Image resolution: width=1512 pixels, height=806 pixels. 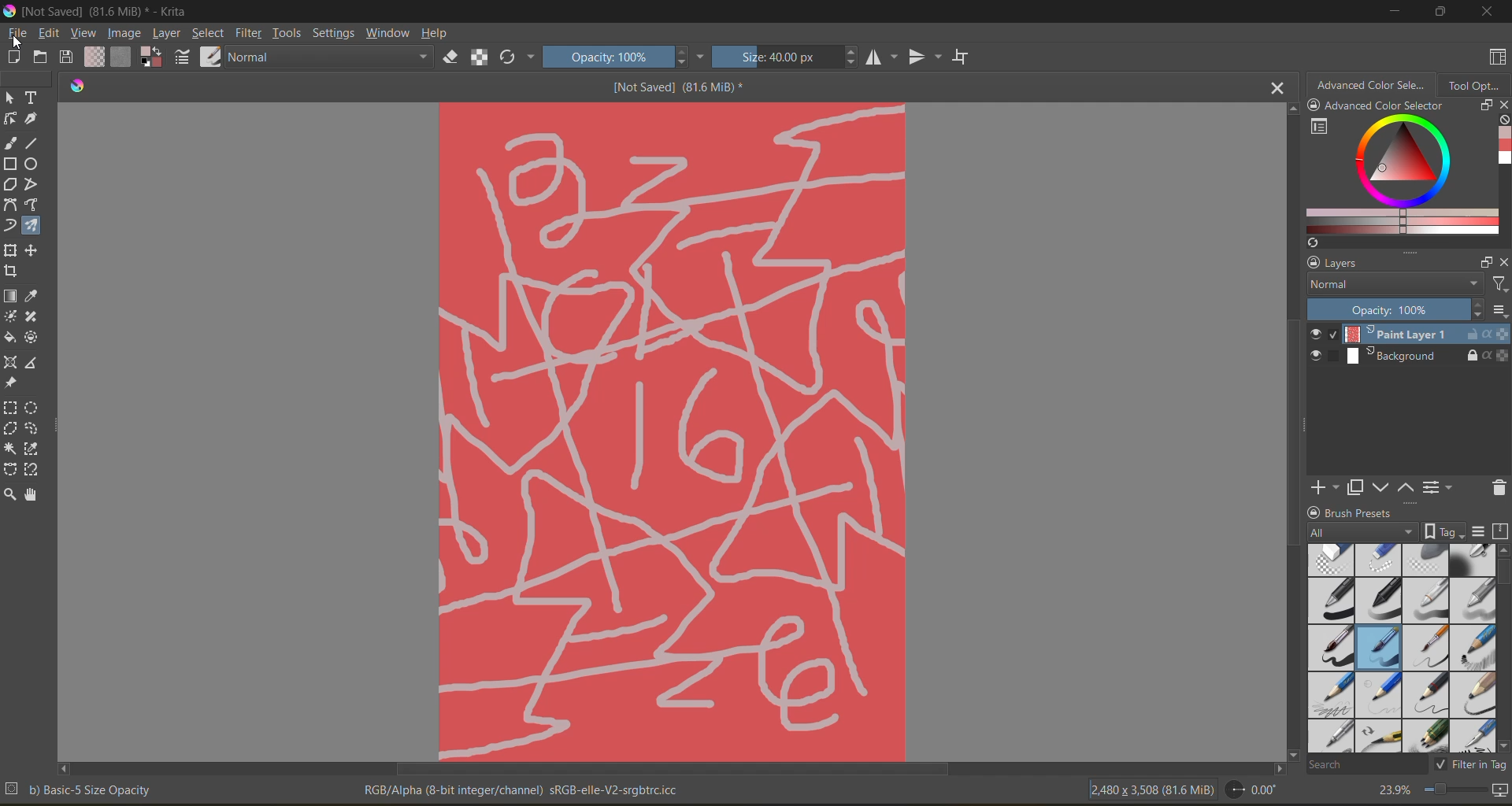 What do you see at coordinates (879, 57) in the screenshot?
I see `flip horizontally` at bounding box center [879, 57].